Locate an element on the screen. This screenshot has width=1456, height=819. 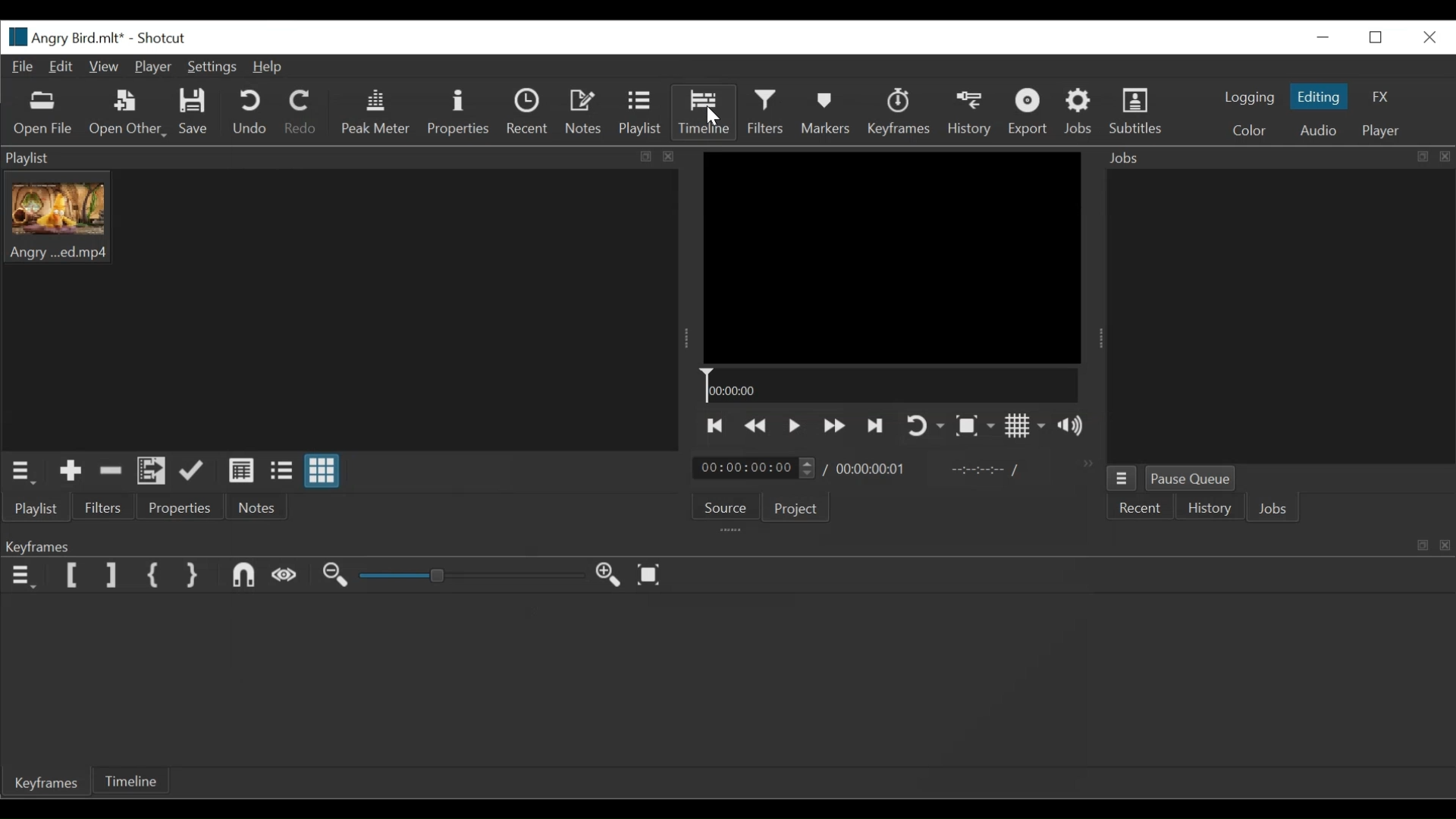
Undo is located at coordinates (249, 112).